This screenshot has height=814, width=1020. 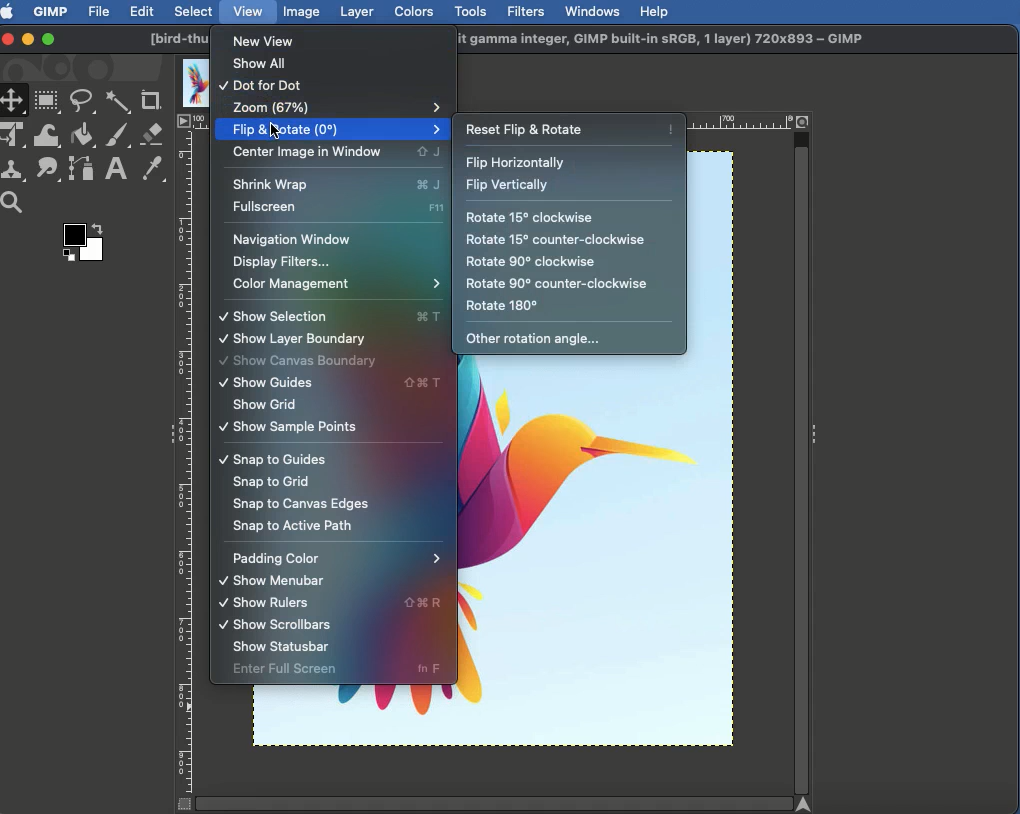 I want to click on Snap to canvas edges, so click(x=299, y=505).